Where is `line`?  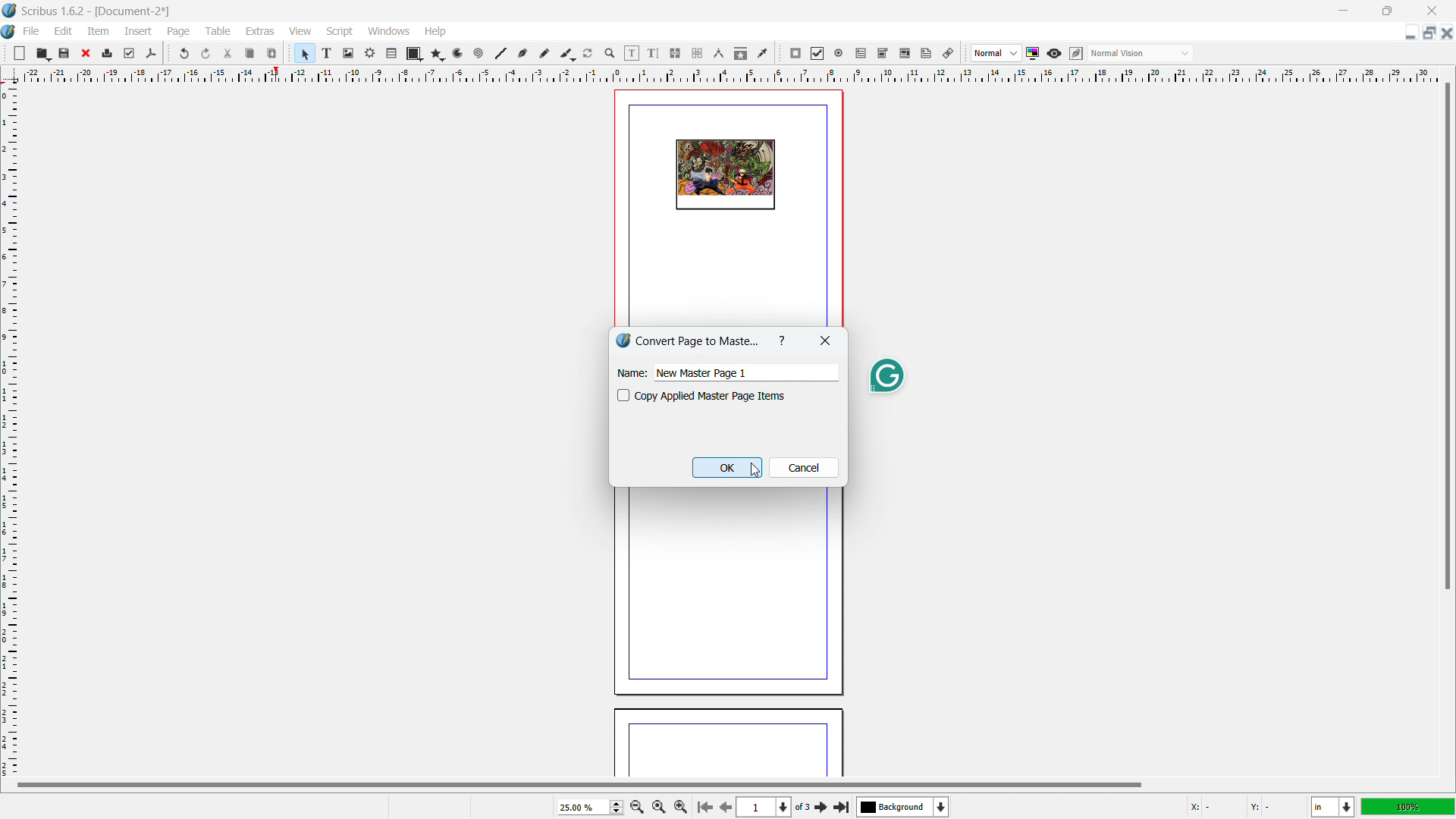 line is located at coordinates (500, 54).